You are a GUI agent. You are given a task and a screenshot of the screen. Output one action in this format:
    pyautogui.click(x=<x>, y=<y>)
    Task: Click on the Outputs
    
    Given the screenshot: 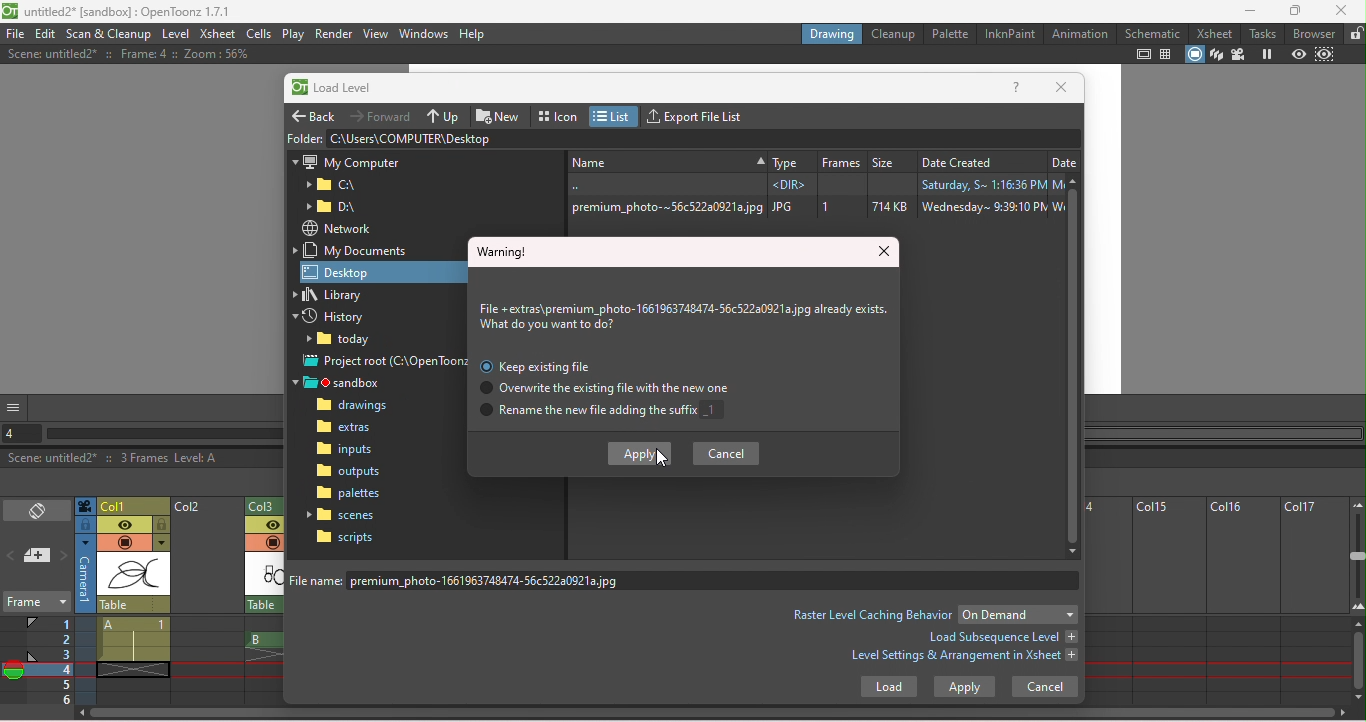 What is the action you would take?
    pyautogui.click(x=348, y=471)
    